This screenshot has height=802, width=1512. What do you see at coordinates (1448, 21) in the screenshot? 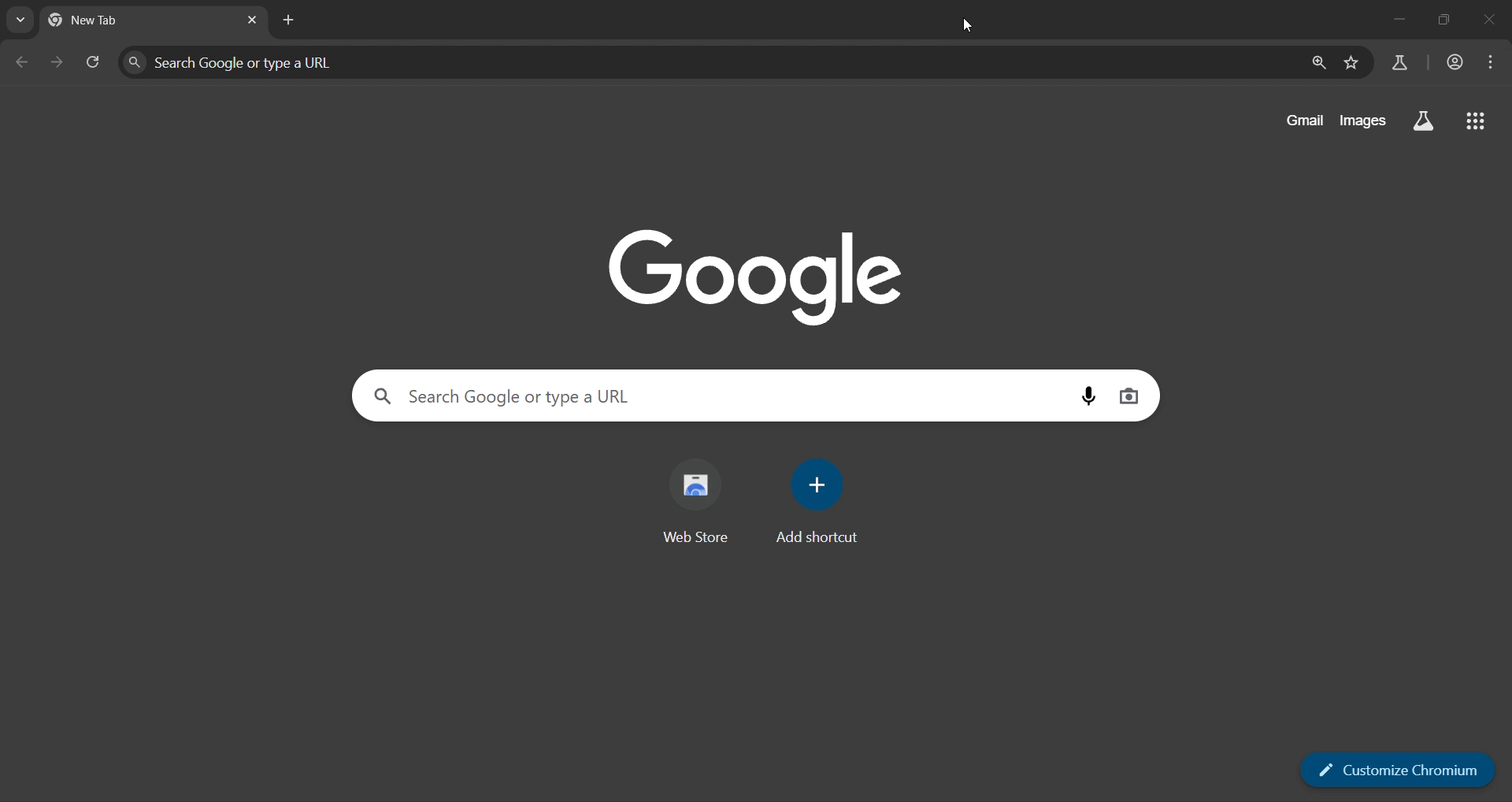
I see `restore down` at bounding box center [1448, 21].